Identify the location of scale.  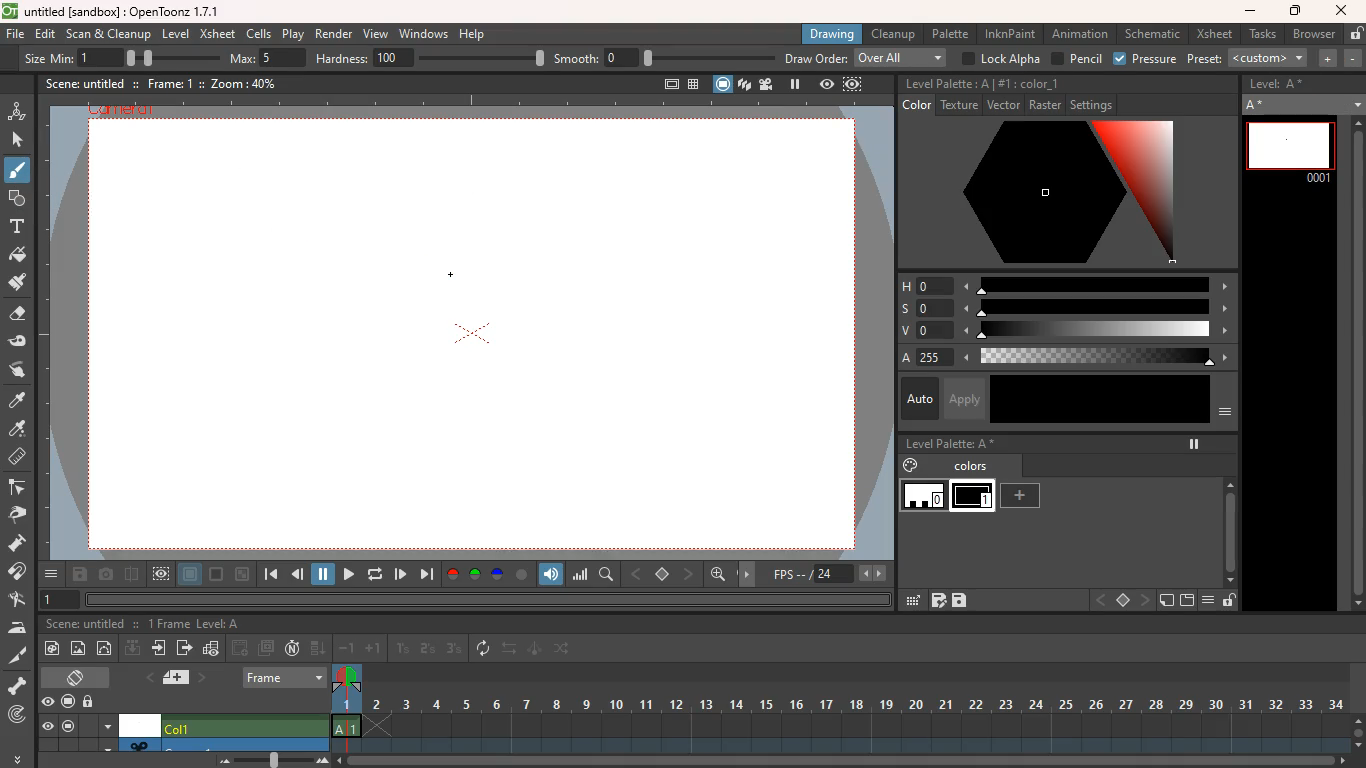
(1096, 284).